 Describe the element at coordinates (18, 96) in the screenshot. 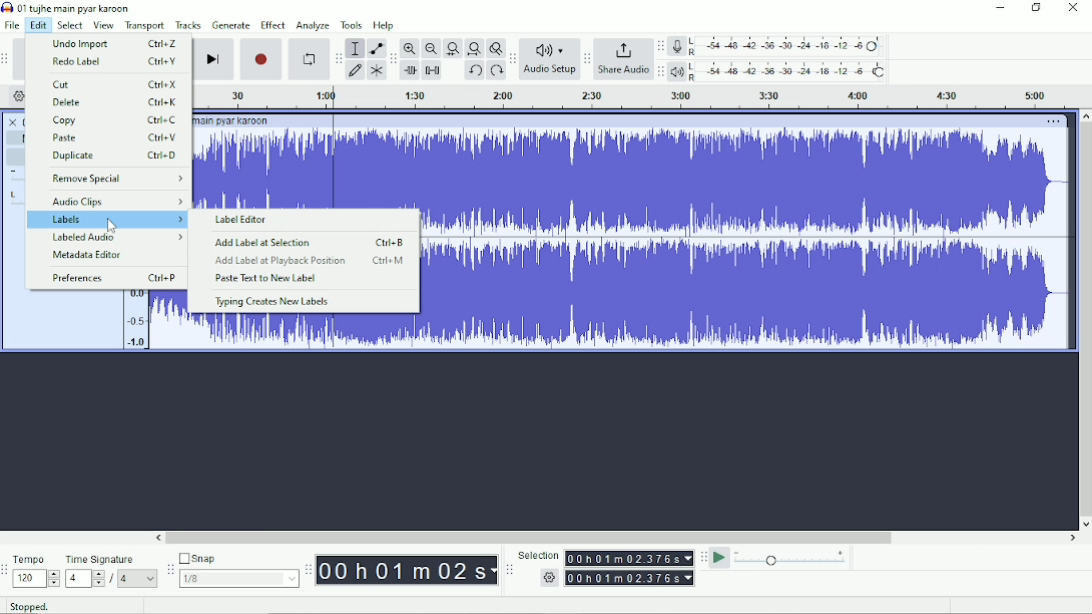

I see `Timeline options` at that location.